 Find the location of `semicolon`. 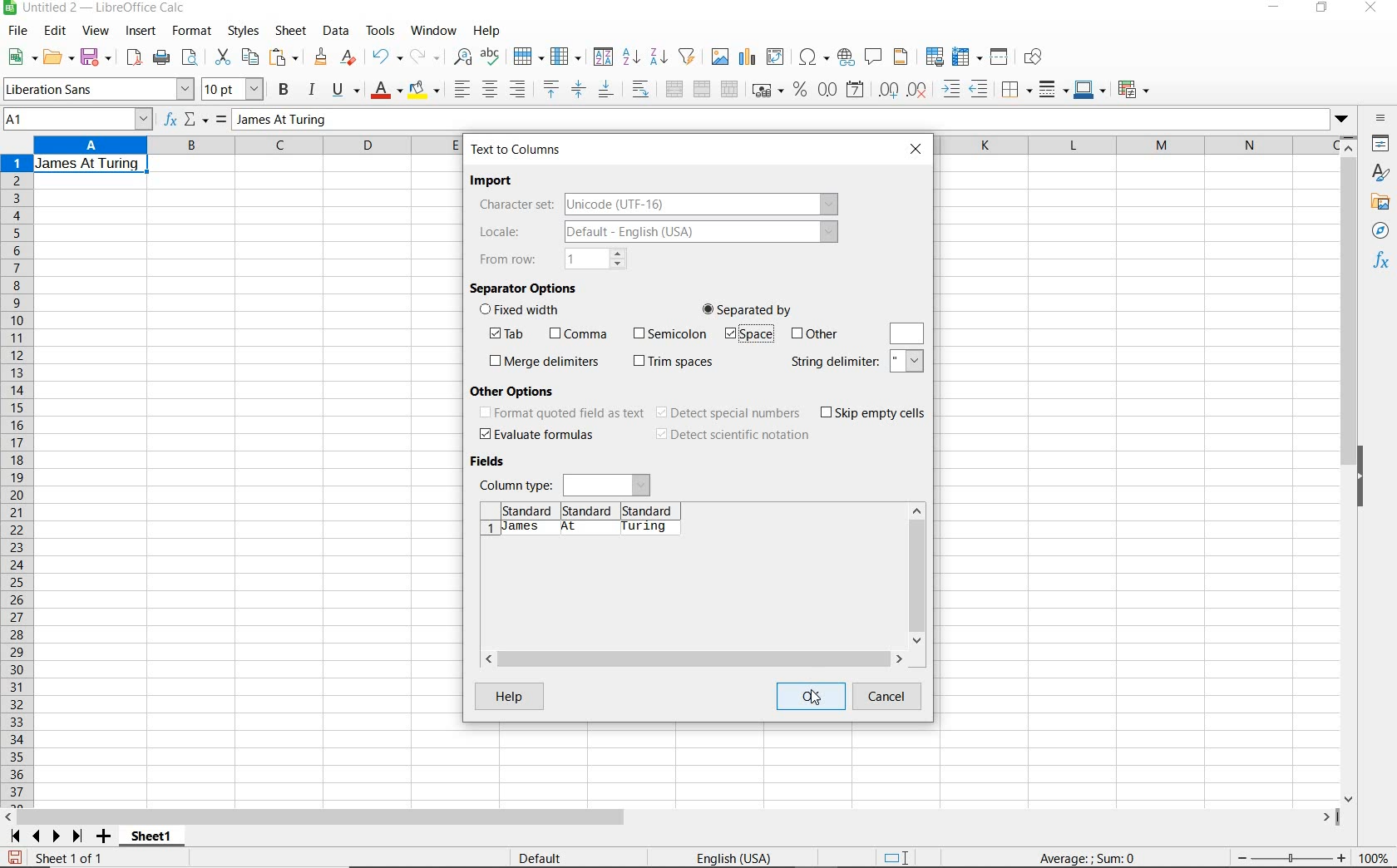

semicolon is located at coordinates (668, 333).